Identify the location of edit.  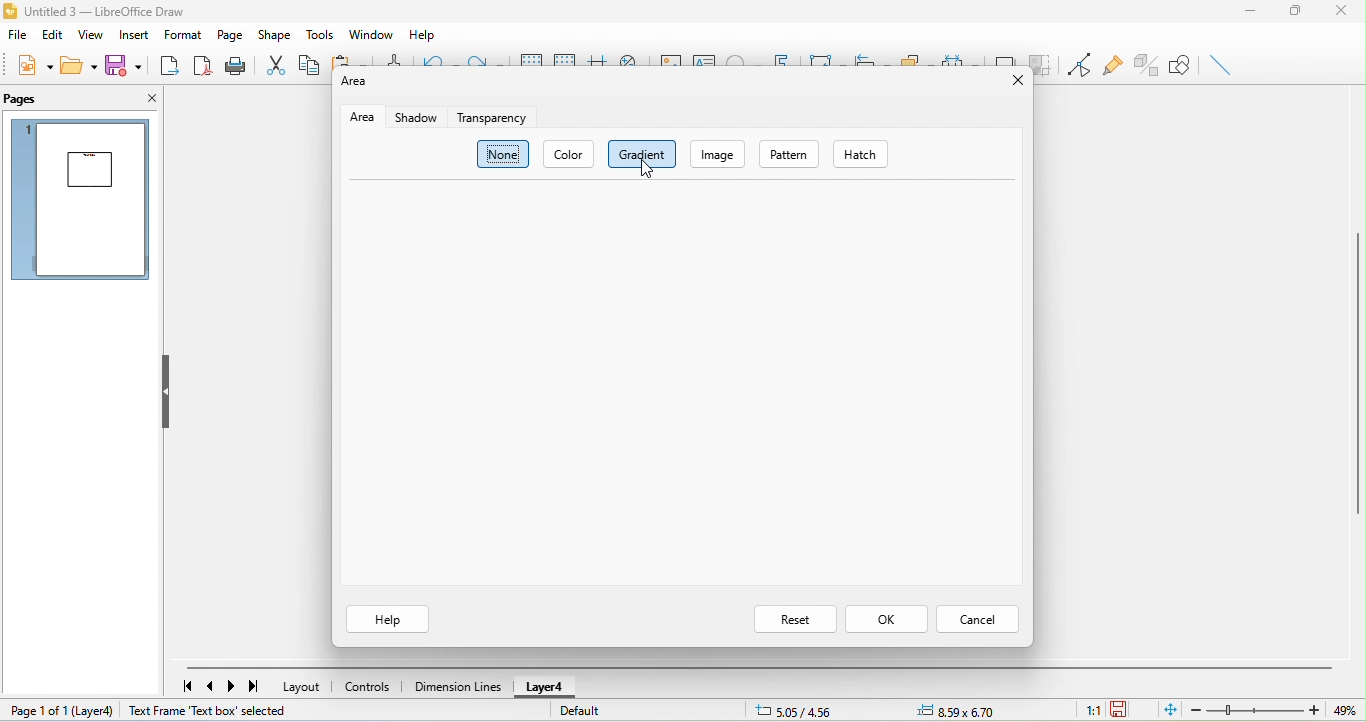
(53, 35).